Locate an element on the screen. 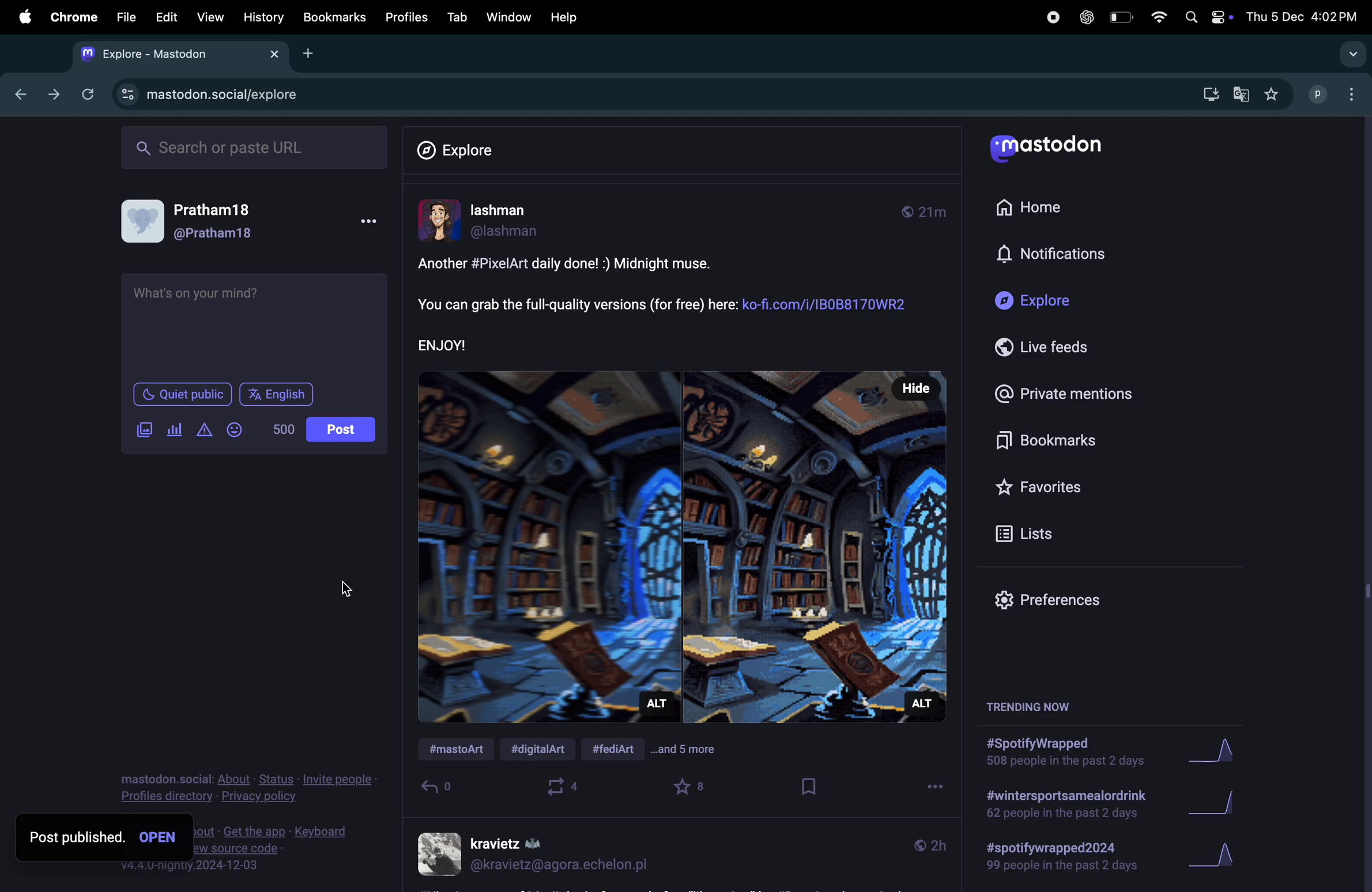 This screenshot has height=892, width=1372. History is located at coordinates (262, 18).